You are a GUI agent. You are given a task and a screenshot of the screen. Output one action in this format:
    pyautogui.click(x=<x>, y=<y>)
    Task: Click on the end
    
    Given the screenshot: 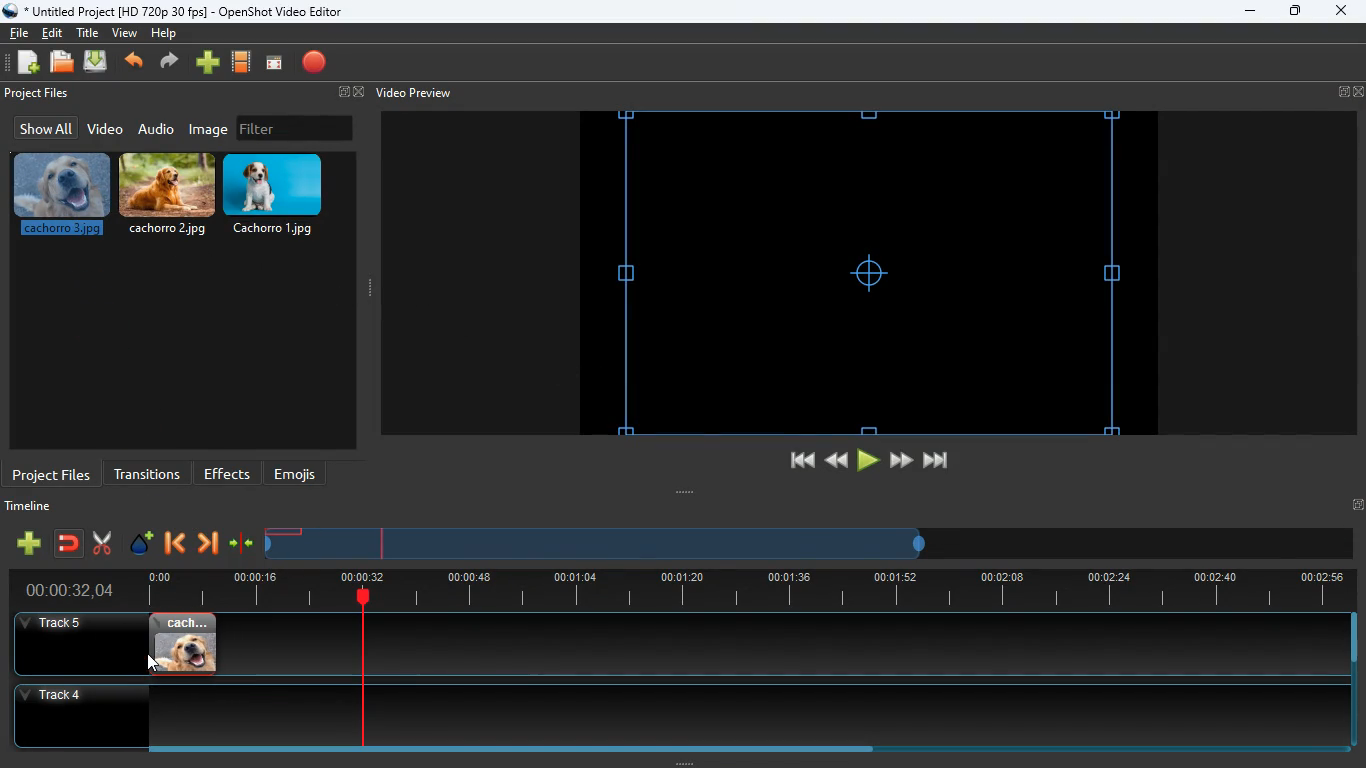 What is the action you would take?
    pyautogui.click(x=938, y=464)
    